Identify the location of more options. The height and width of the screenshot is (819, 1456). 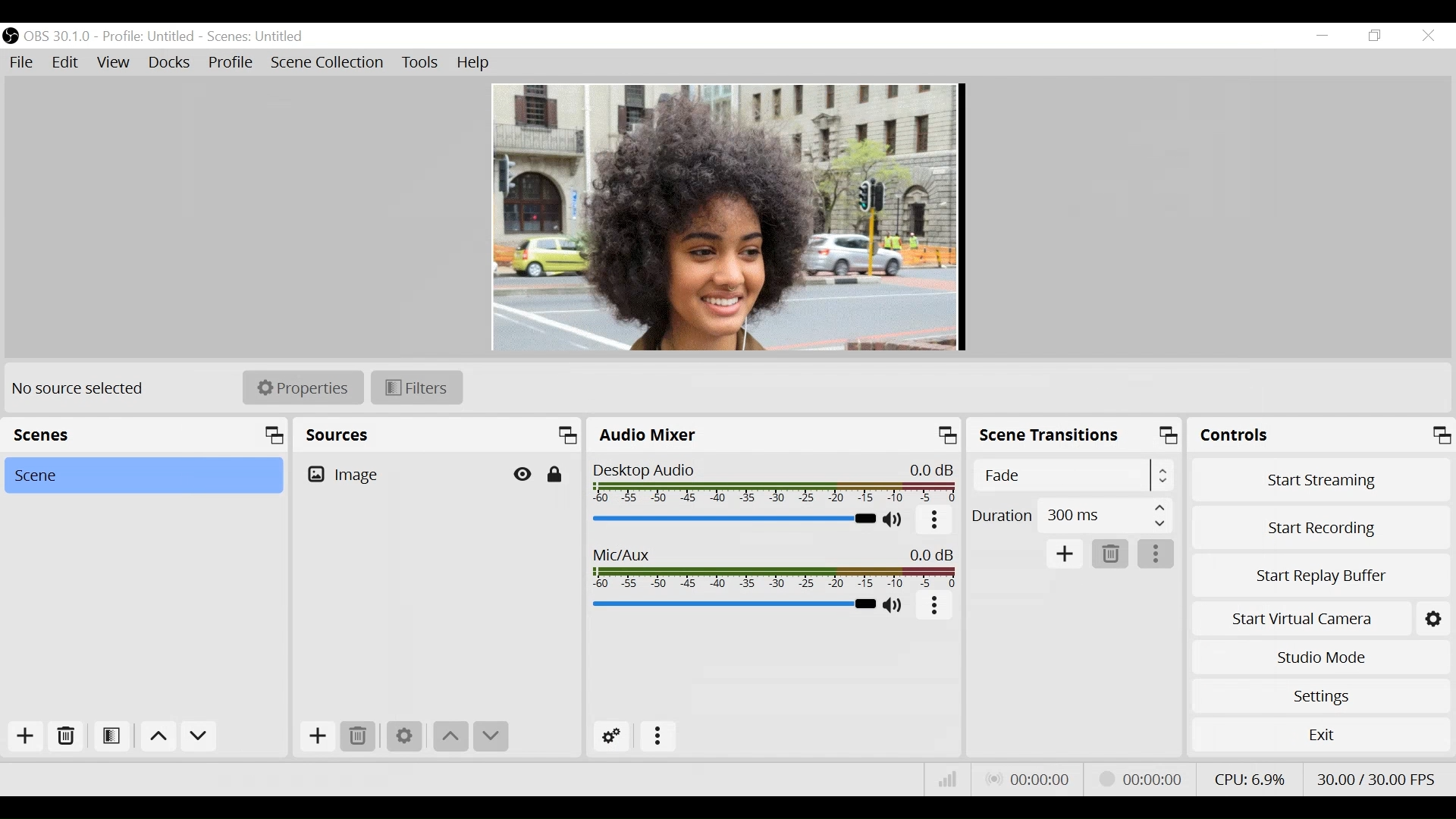
(937, 519).